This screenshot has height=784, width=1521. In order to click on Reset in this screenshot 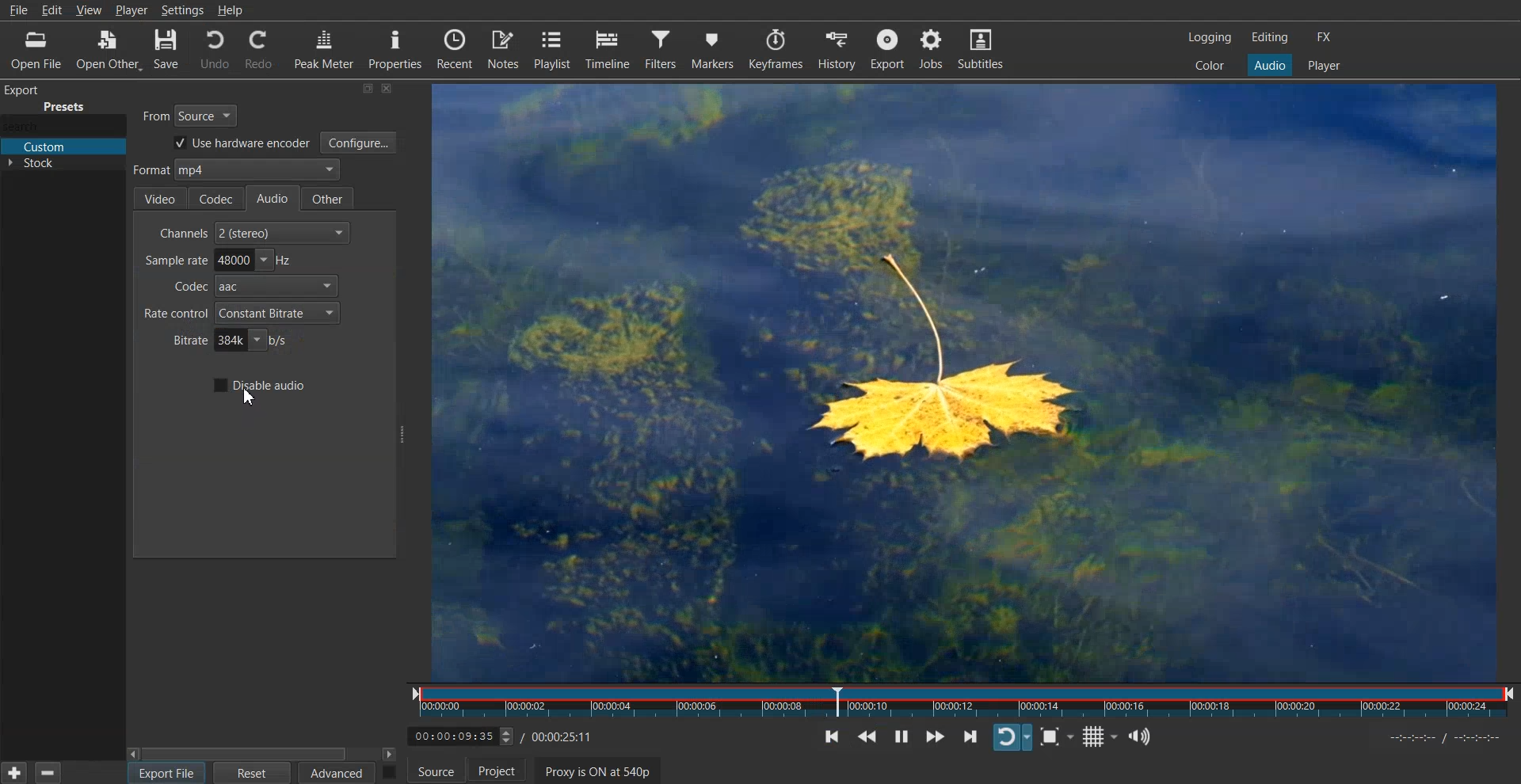, I will do `click(253, 773)`.